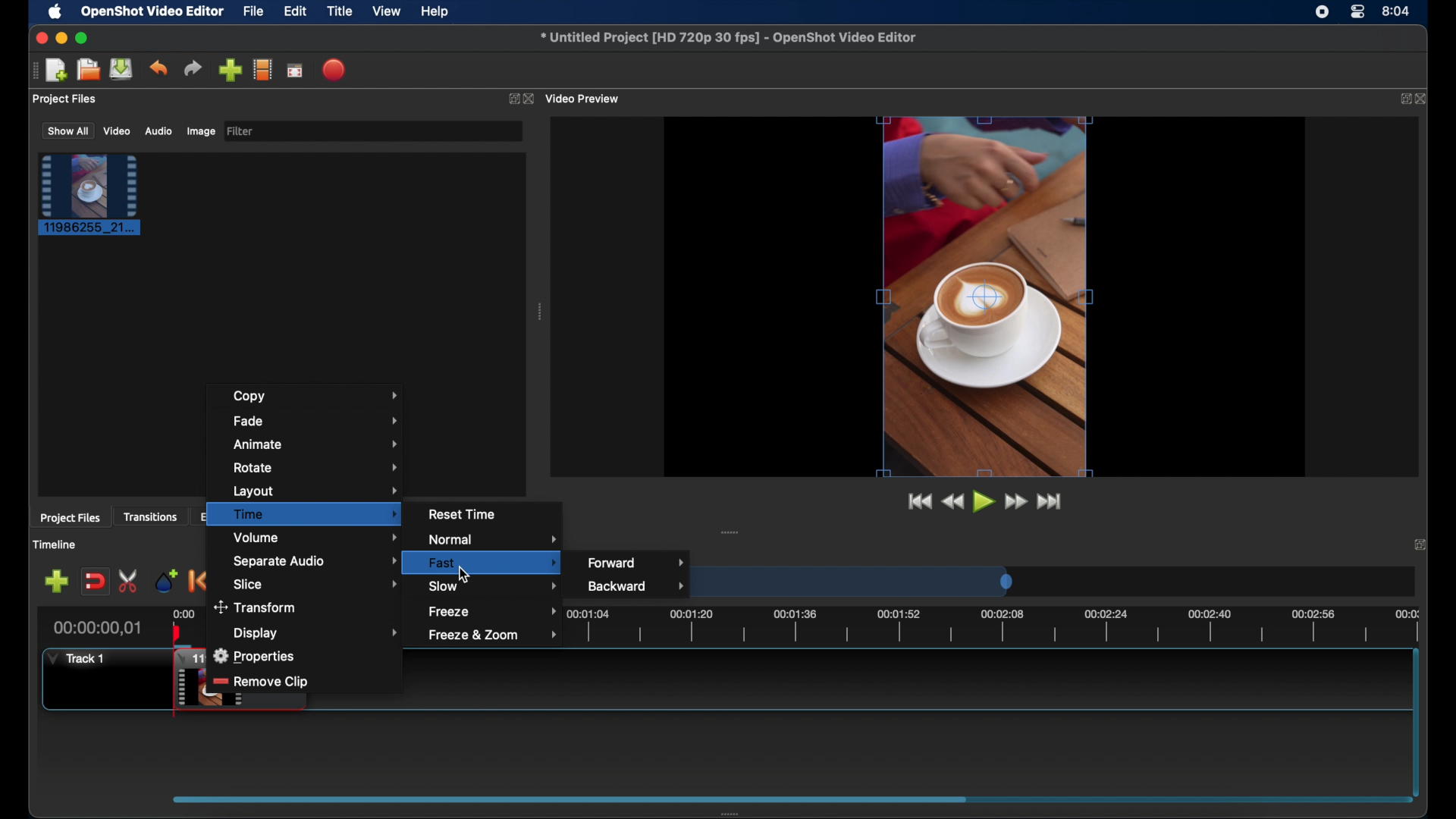 The height and width of the screenshot is (819, 1456). What do you see at coordinates (61, 38) in the screenshot?
I see `minimize` at bounding box center [61, 38].